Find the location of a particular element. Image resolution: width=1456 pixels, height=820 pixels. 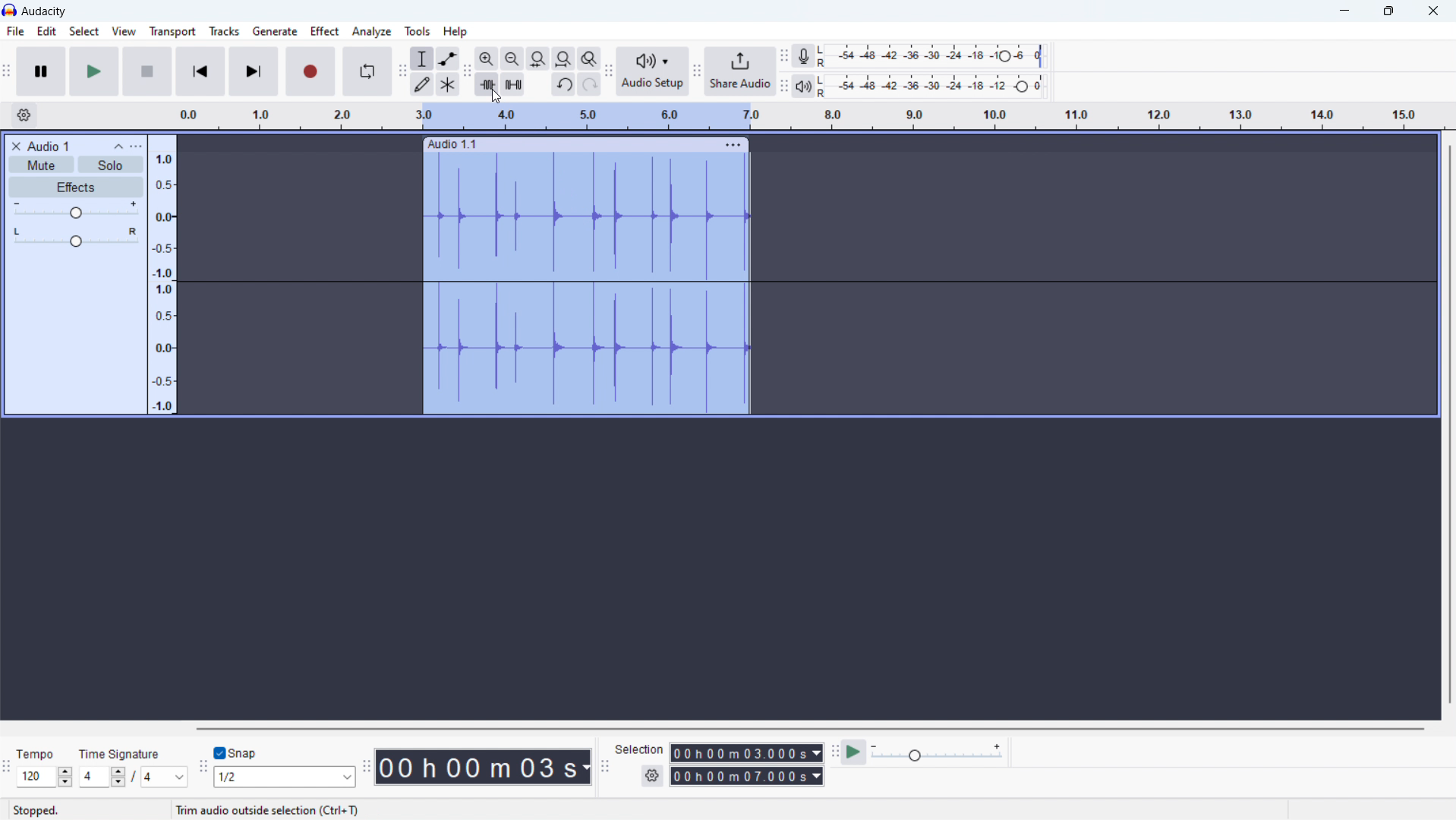

file is located at coordinates (15, 31).